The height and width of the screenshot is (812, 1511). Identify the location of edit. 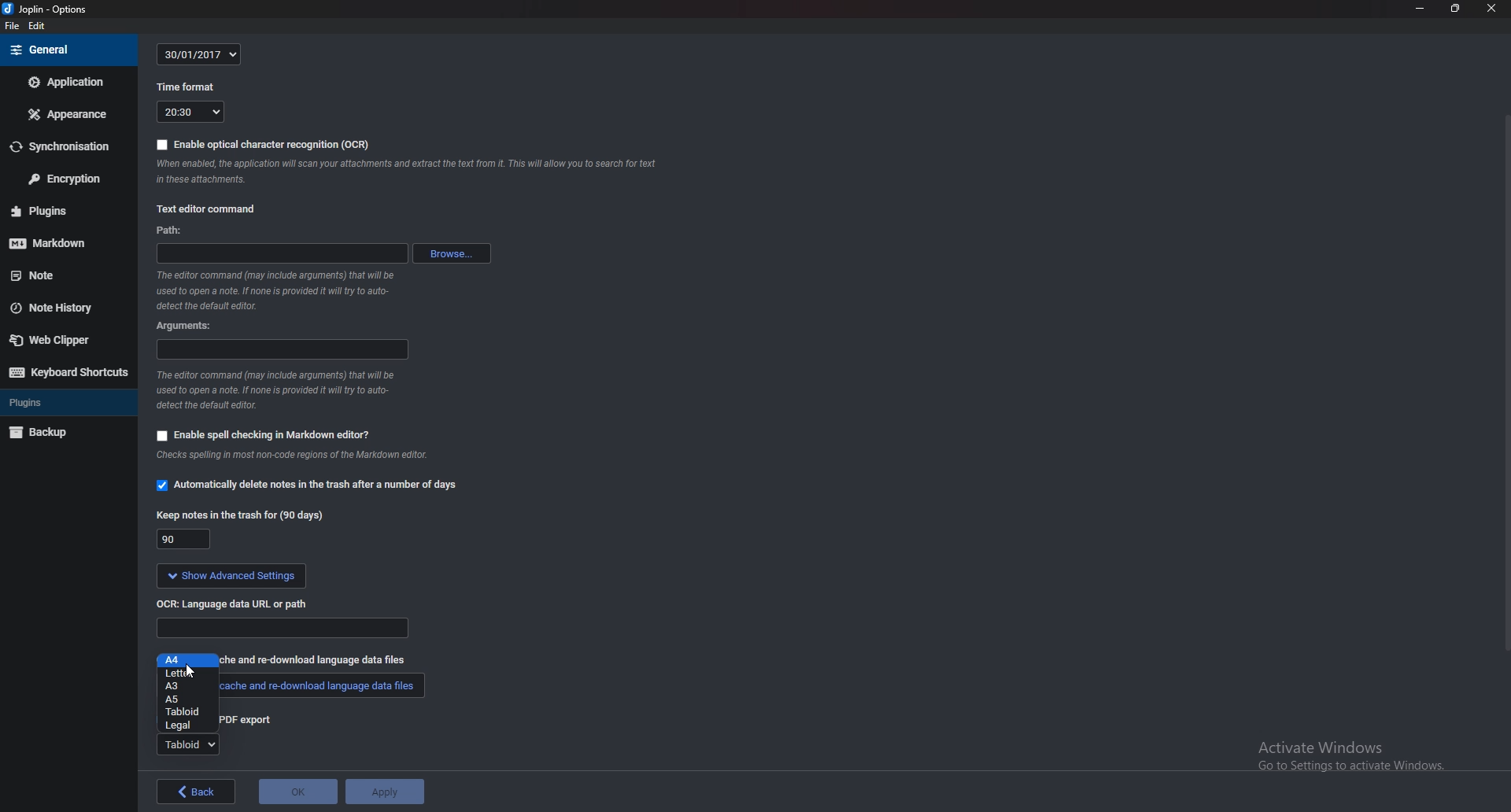
(39, 26).